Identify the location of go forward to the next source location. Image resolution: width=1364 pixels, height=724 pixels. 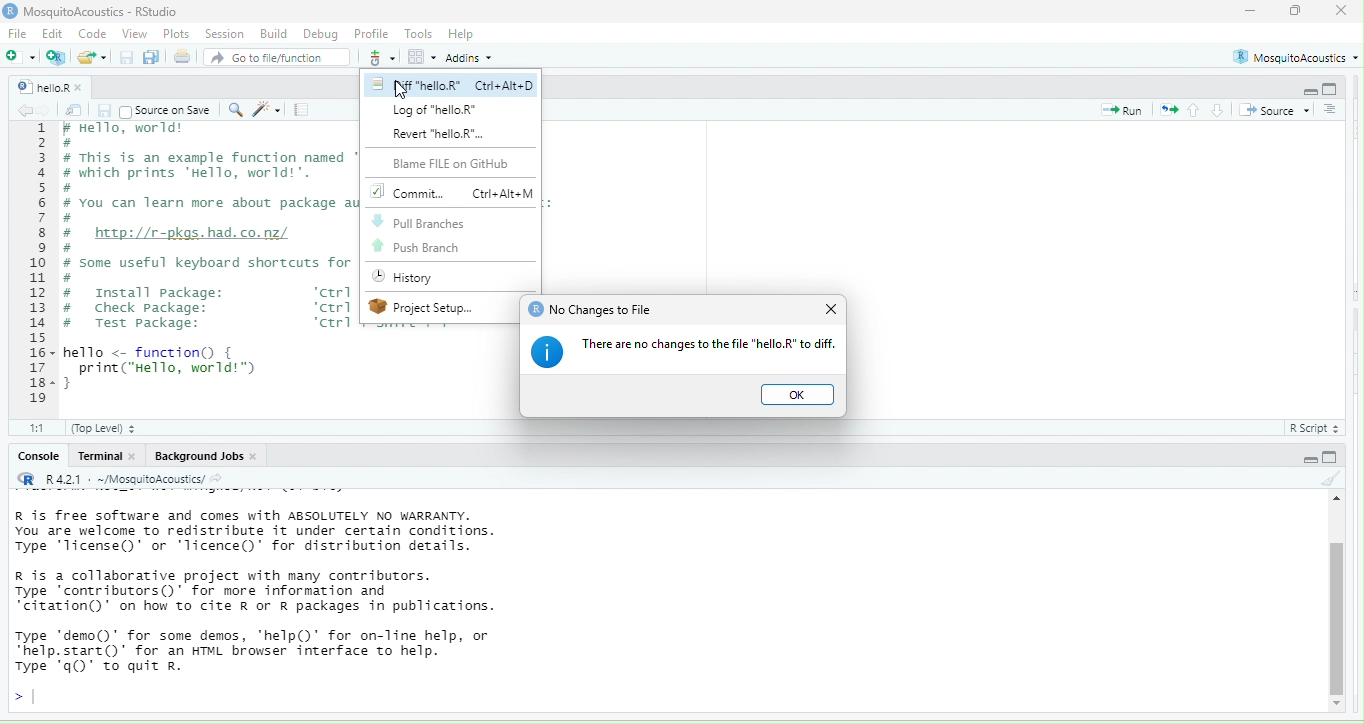
(50, 110).